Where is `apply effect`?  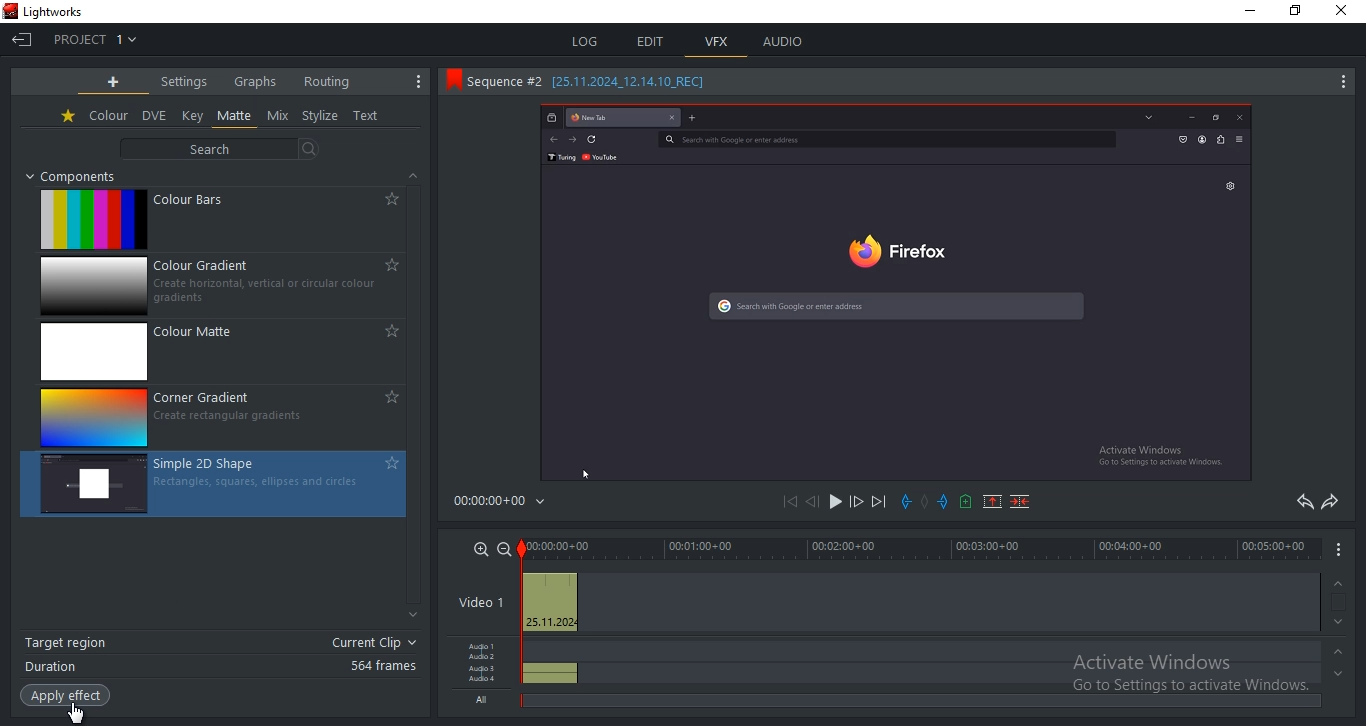
apply effect is located at coordinates (64, 696).